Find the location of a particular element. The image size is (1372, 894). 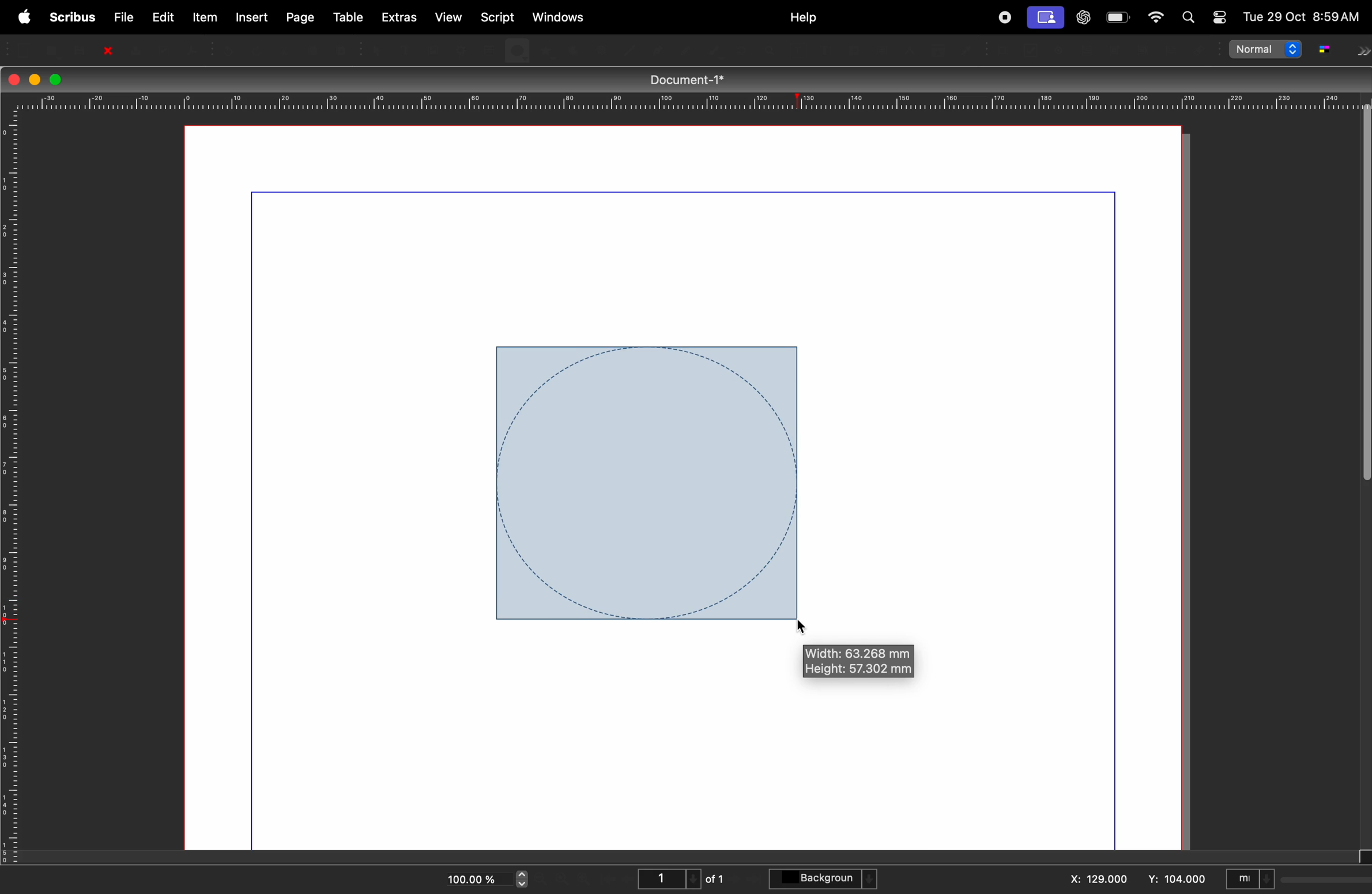

PDF text field is located at coordinates (1089, 50).